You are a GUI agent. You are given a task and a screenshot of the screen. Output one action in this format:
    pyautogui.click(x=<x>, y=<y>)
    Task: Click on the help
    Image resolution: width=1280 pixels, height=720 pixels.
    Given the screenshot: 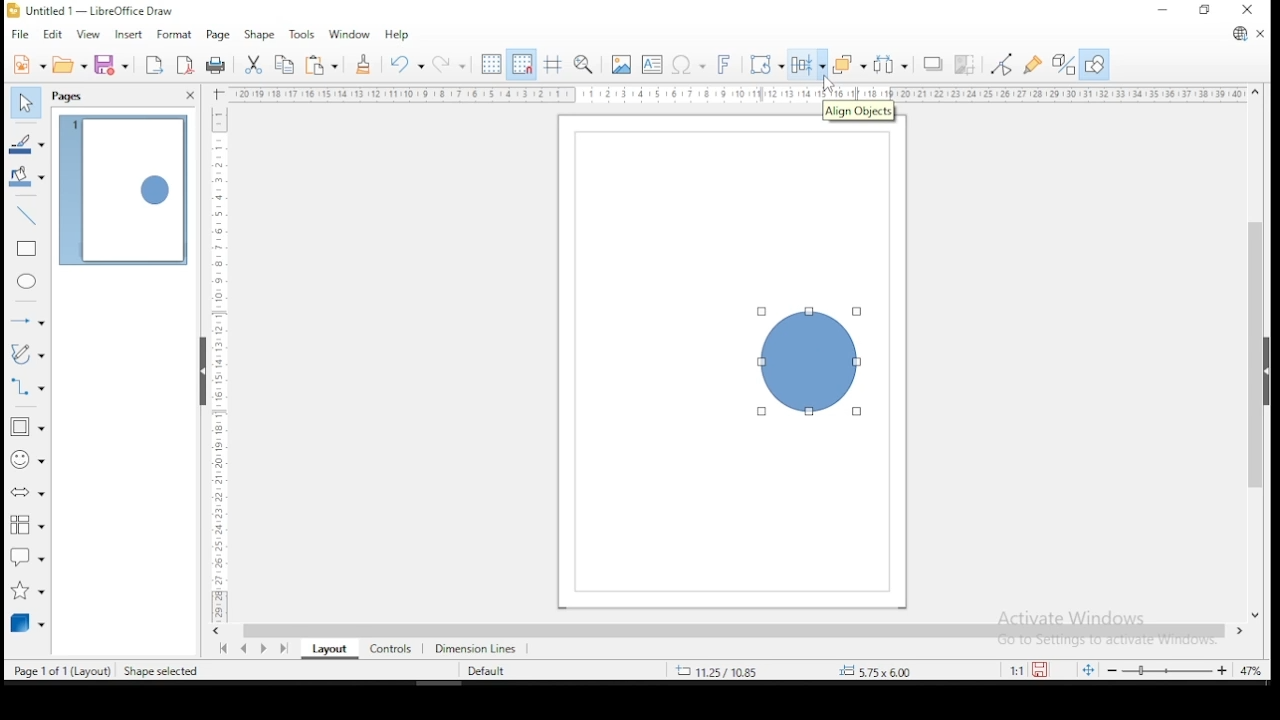 What is the action you would take?
    pyautogui.click(x=398, y=34)
    